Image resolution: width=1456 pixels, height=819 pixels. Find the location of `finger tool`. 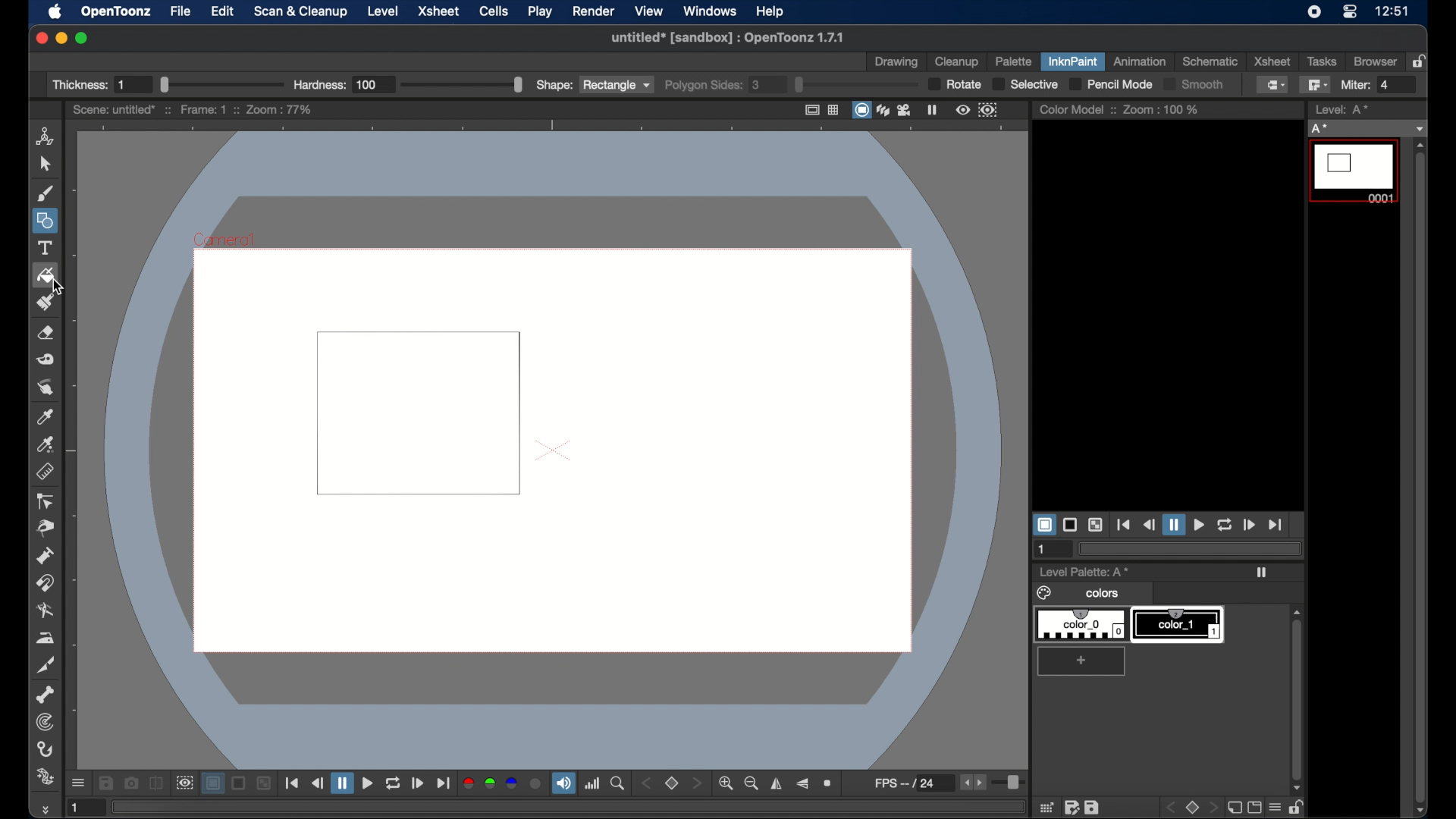

finger tool is located at coordinates (45, 388).